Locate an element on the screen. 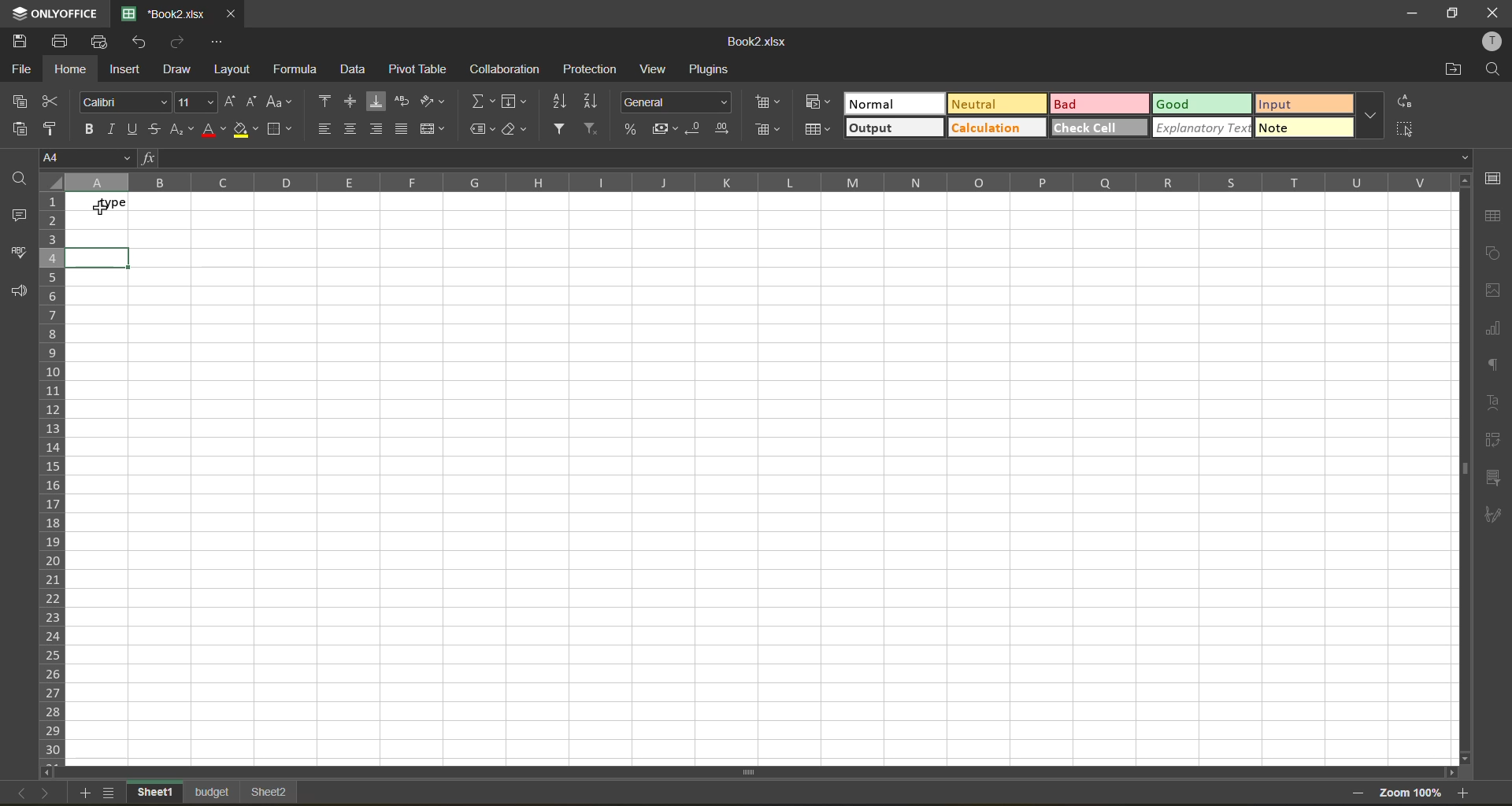 The width and height of the screenshot is (1512, 806). align bottom is located at coordinates (376, 102).